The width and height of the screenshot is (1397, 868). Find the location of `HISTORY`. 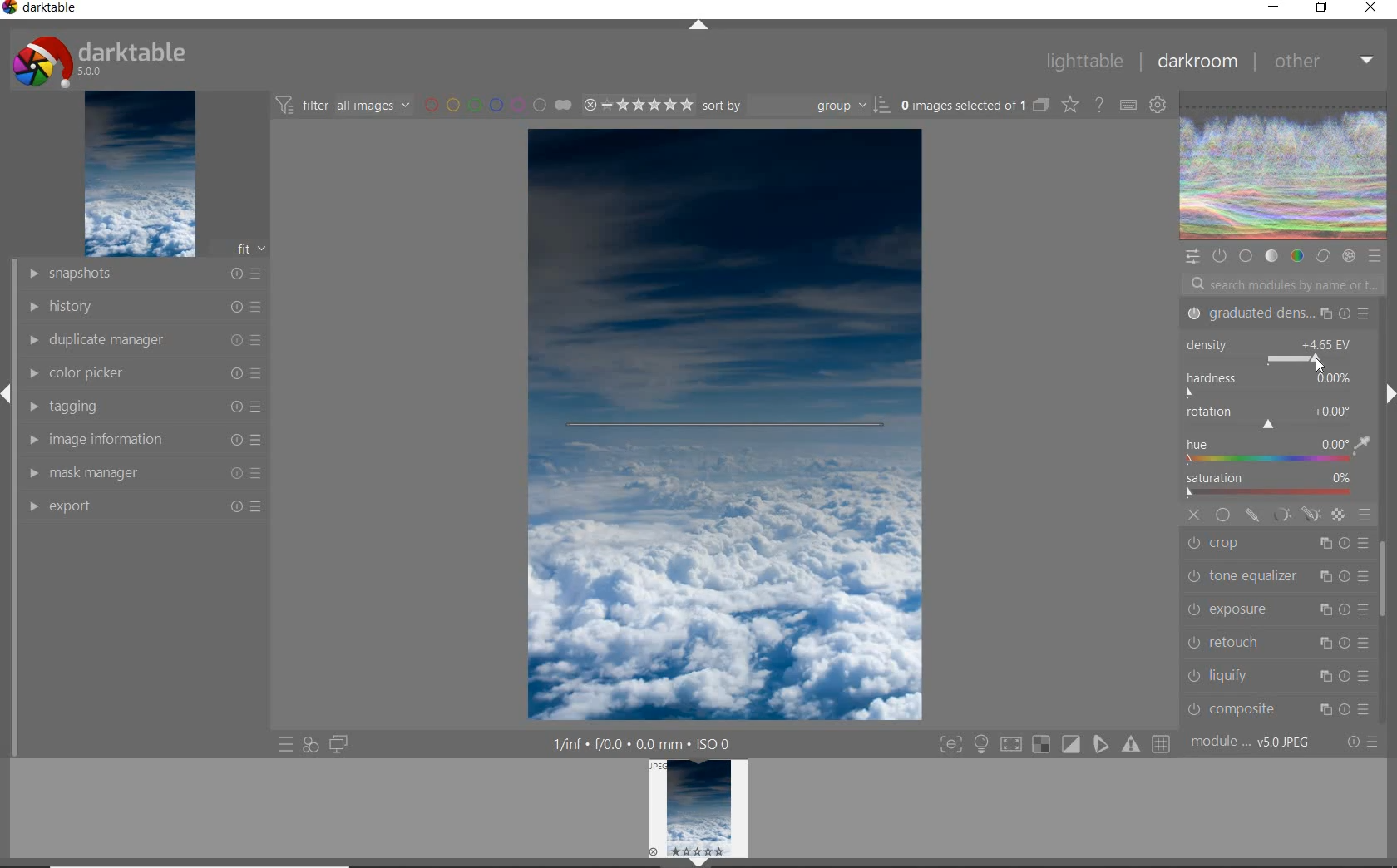

HISTORY is located at coordinates (143, 305).